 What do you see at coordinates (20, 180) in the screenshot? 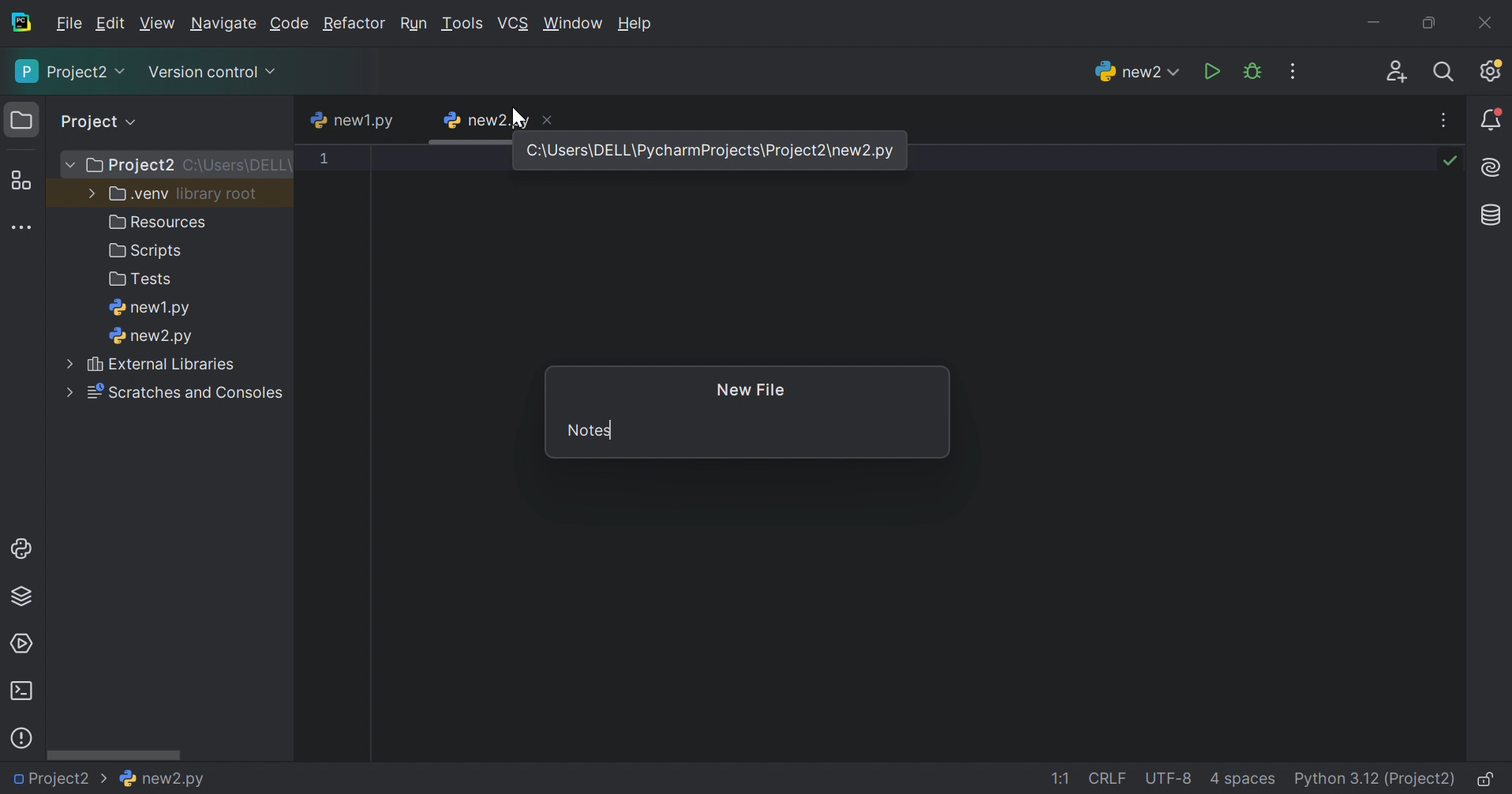
I see `Structure` at bounding box center [20, 180].